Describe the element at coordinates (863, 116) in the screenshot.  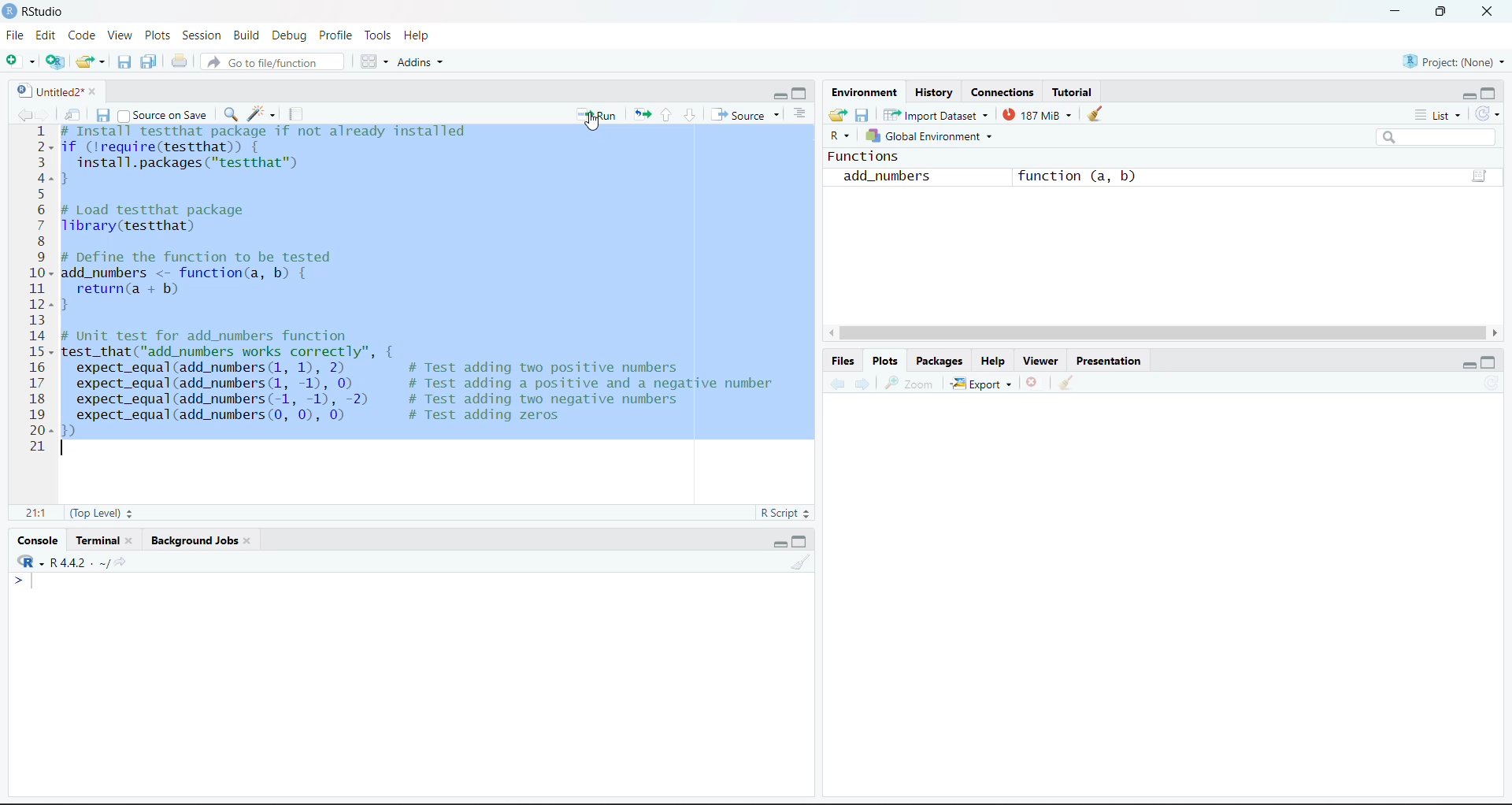
I see `save workspace` at that location.